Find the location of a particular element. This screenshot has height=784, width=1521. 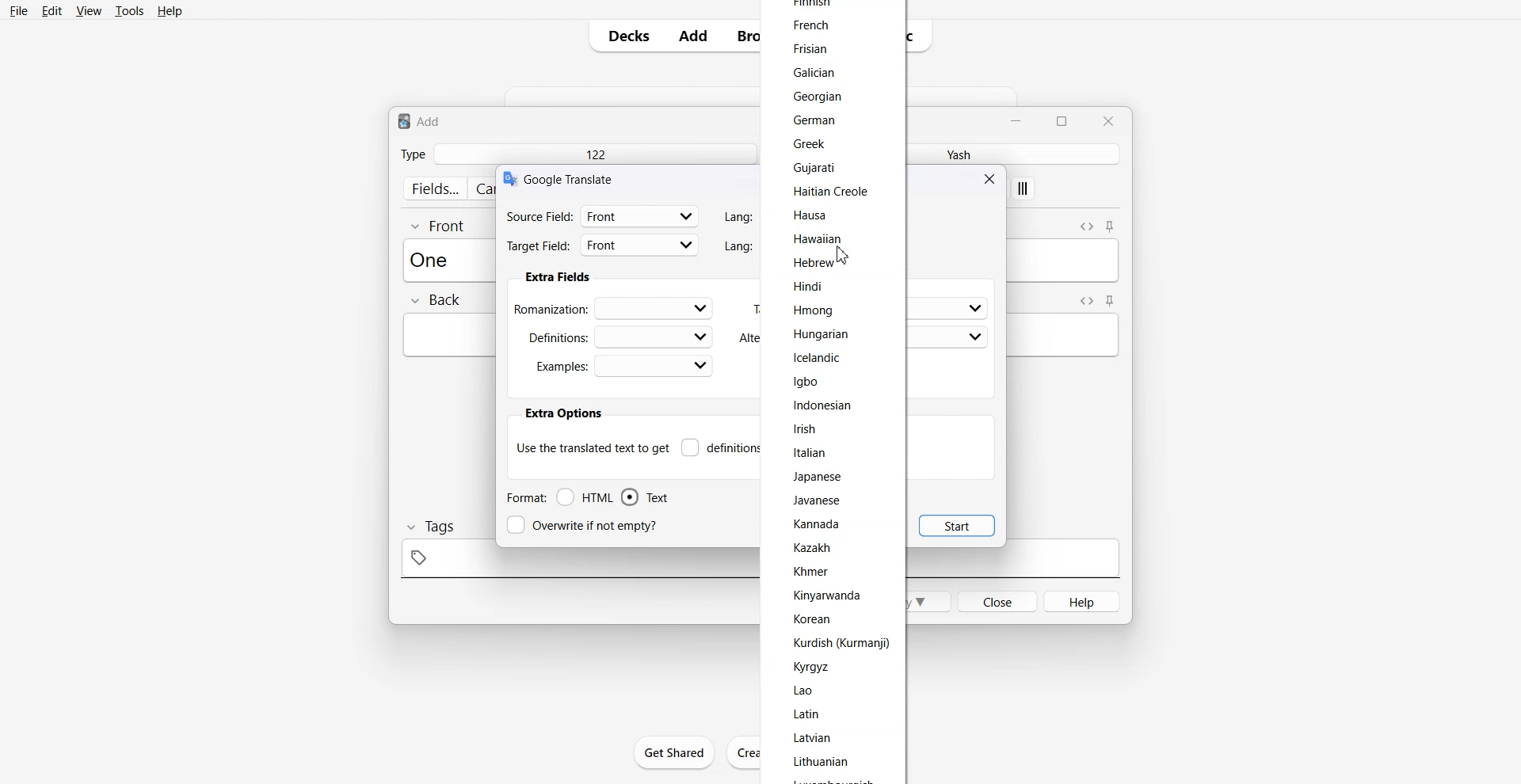

Kannada is located at coordinates (819, 524).